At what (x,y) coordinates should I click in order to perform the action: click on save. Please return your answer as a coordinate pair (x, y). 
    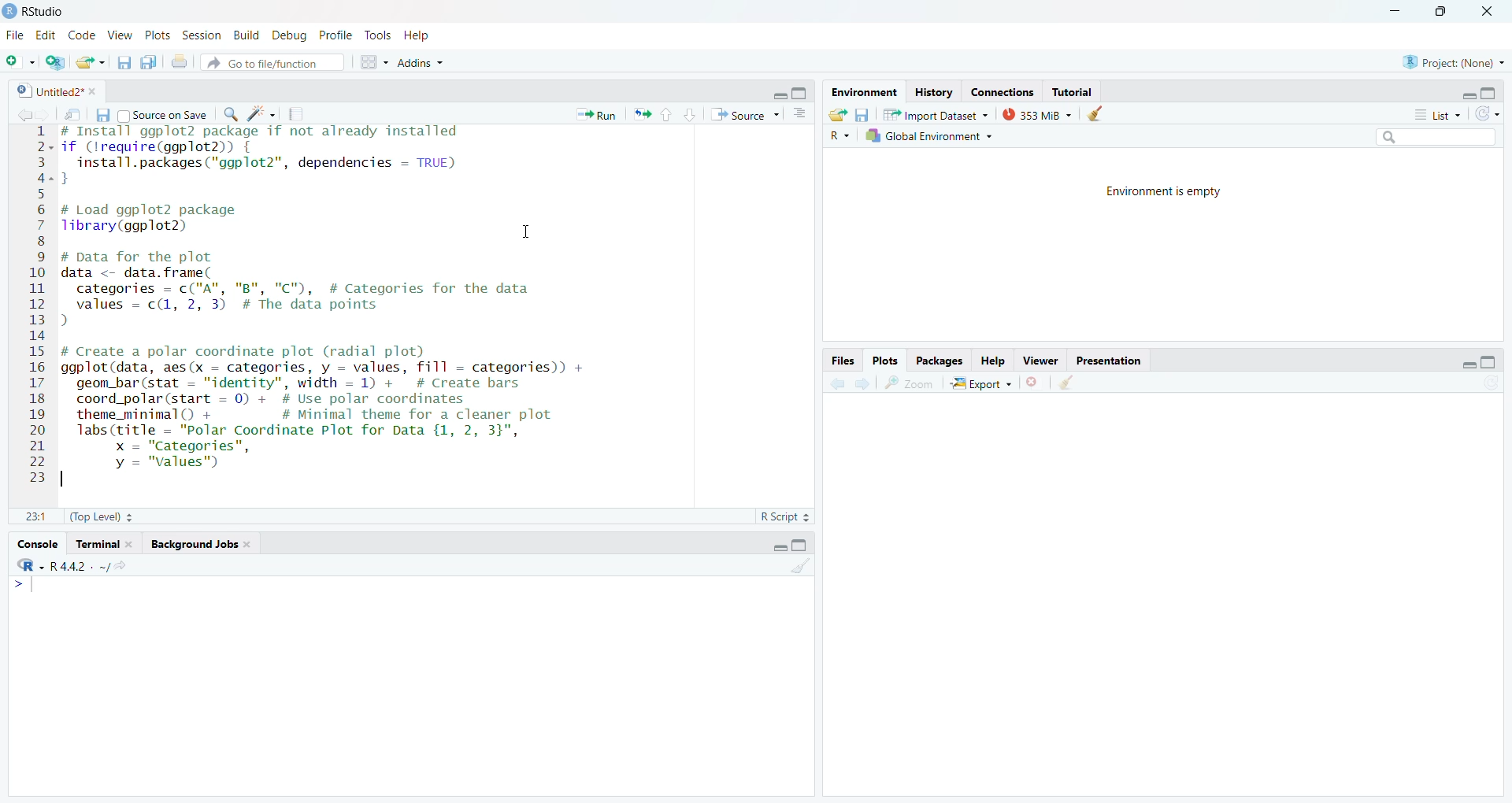
    Looking at the image, I should click on (864, 115).